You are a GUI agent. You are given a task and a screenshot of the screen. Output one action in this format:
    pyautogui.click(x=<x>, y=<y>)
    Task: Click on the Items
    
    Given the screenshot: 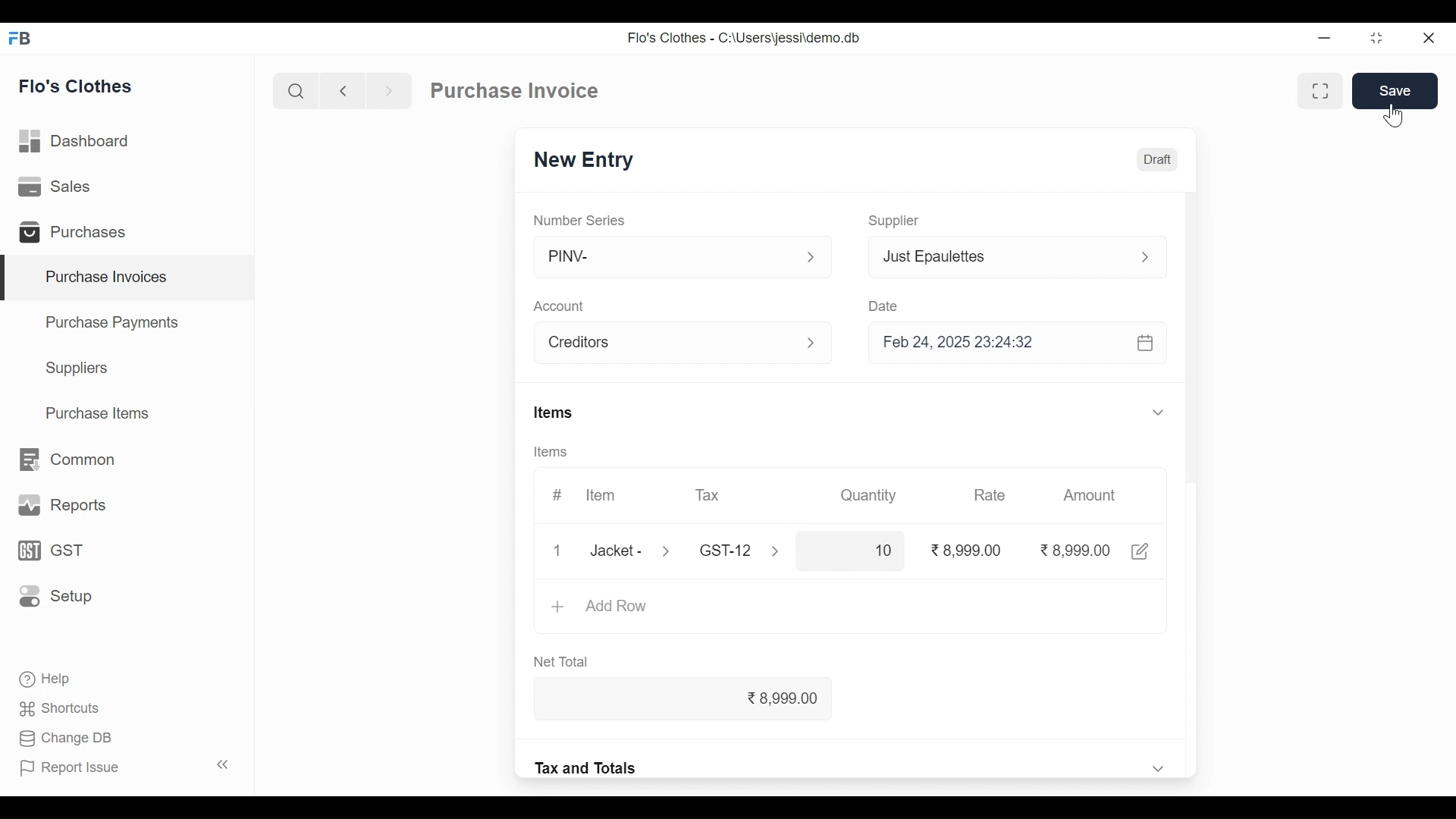 What is the action you would take?
    pyautogui.click(x=549, y=452)
    